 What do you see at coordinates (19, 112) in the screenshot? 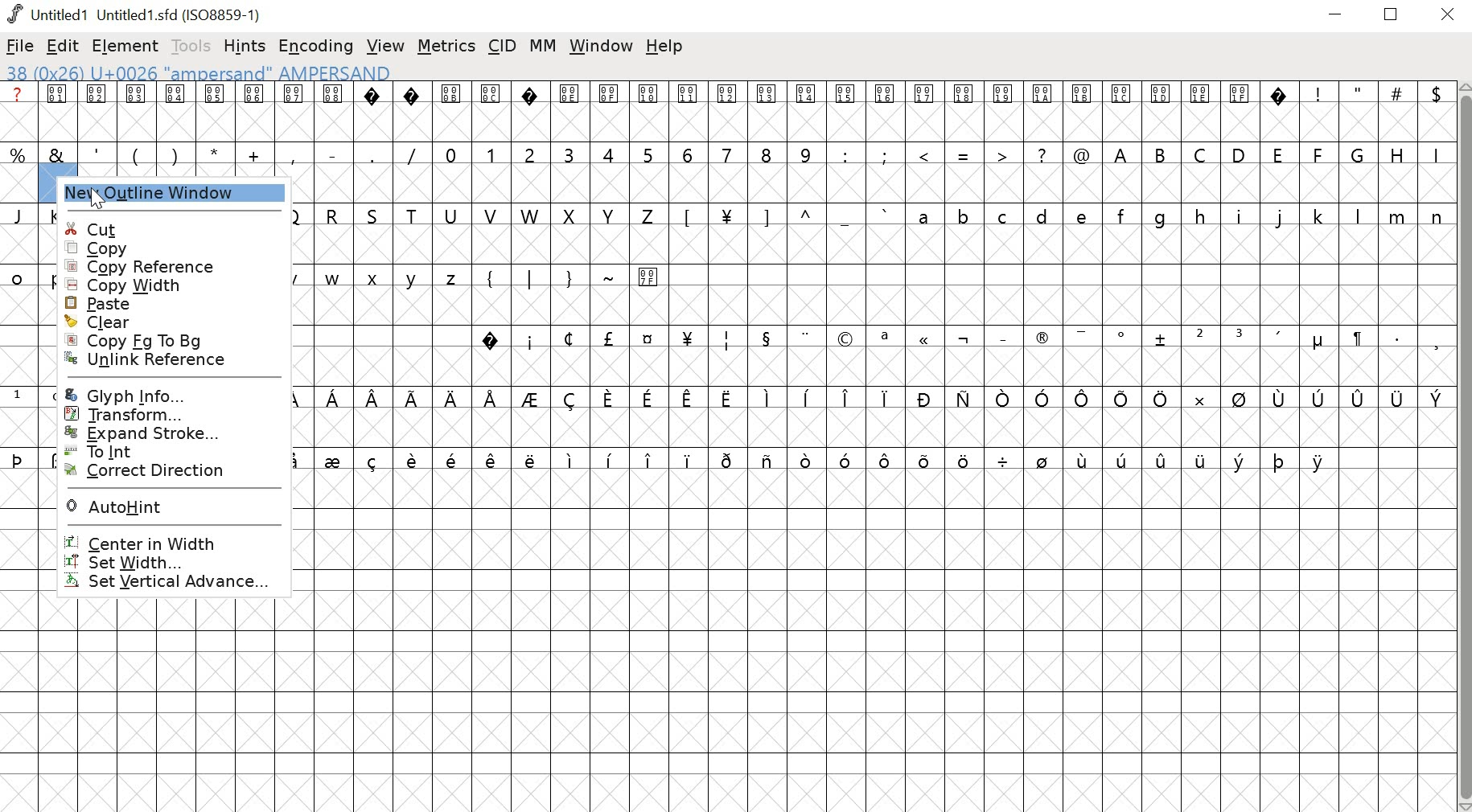
I see `a` at bounding box center [19, 112].